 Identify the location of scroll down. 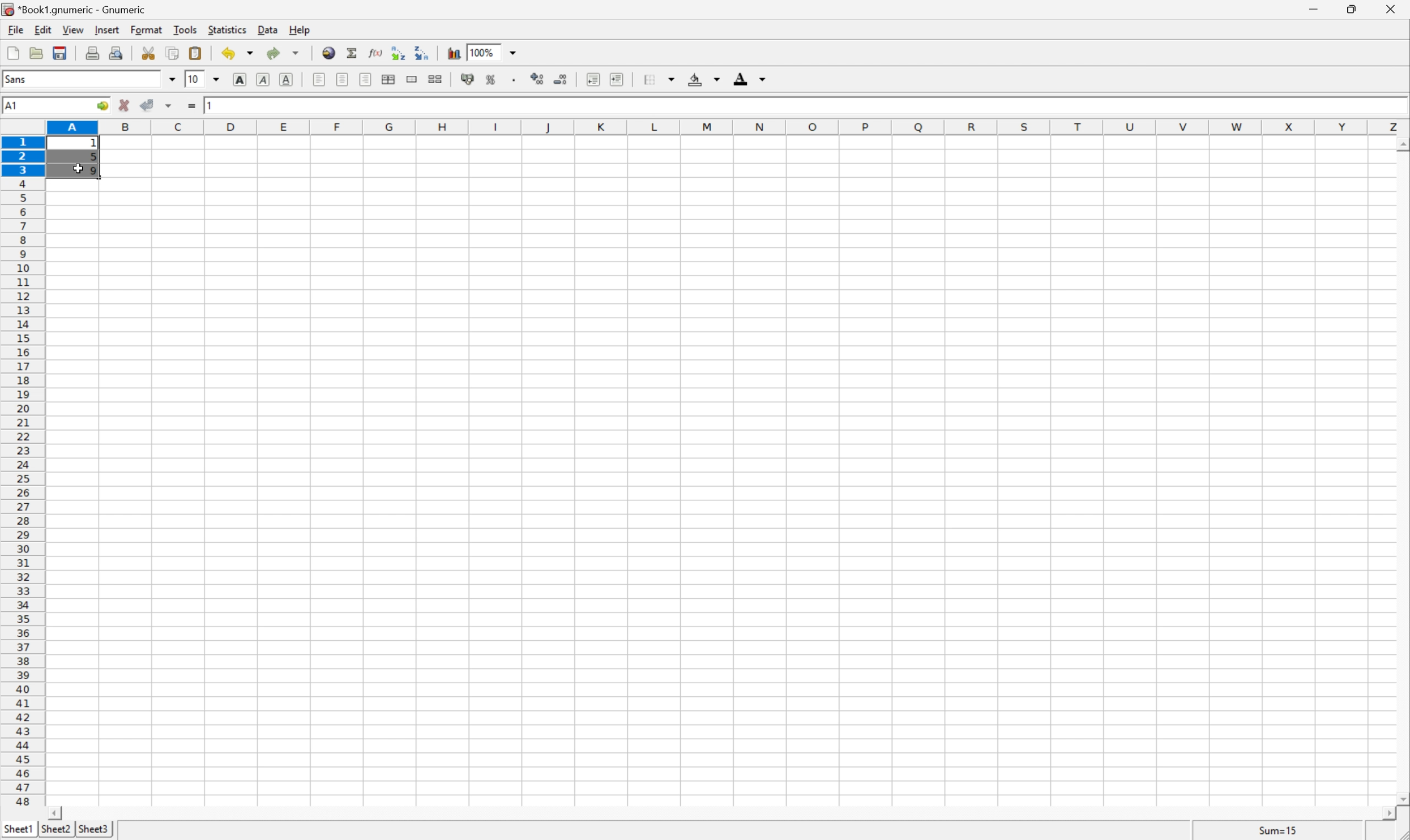
(1401, 798).